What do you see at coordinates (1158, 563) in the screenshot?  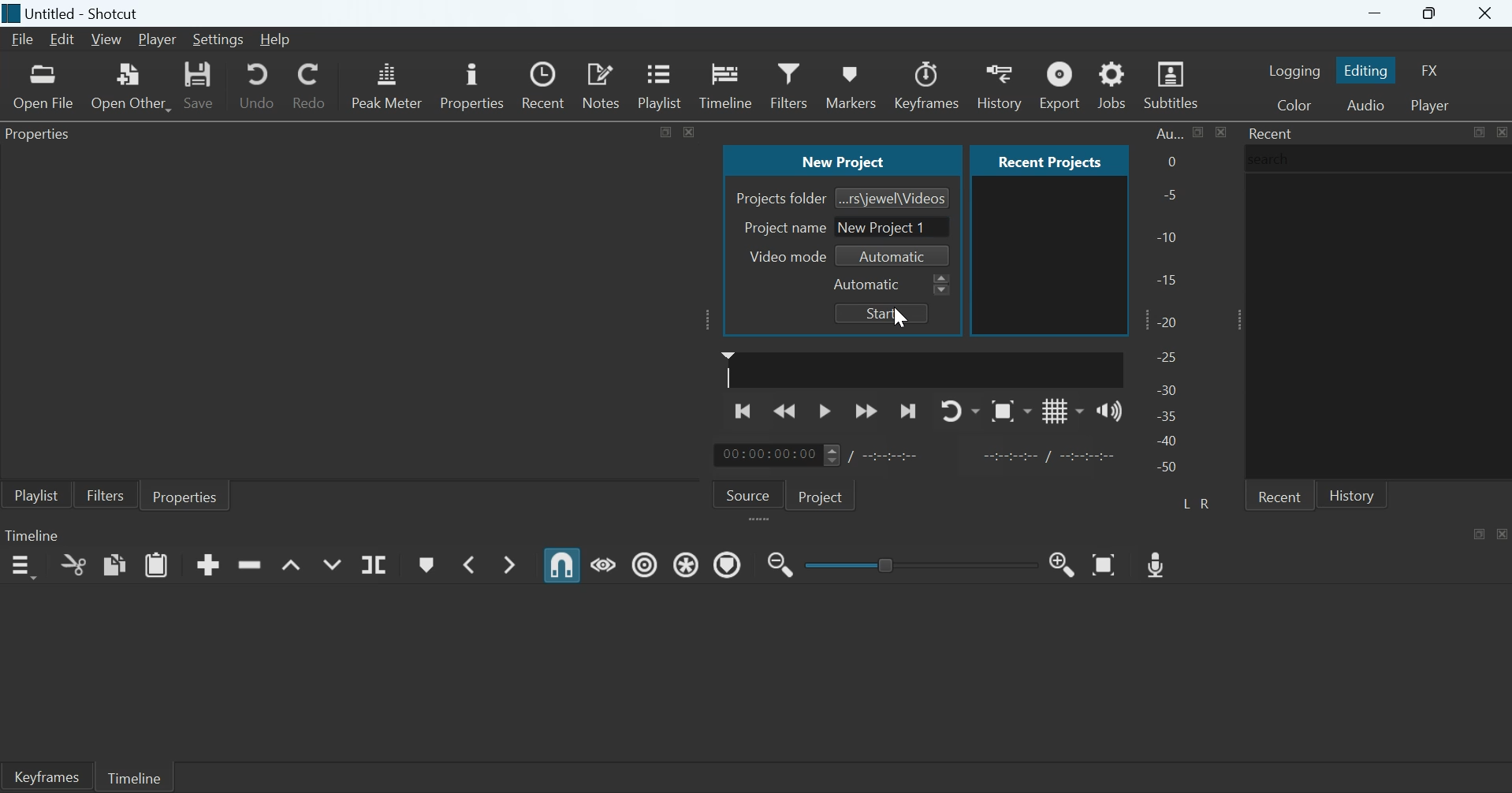 I see `Record Audio` at bounding box center [1158, 563].